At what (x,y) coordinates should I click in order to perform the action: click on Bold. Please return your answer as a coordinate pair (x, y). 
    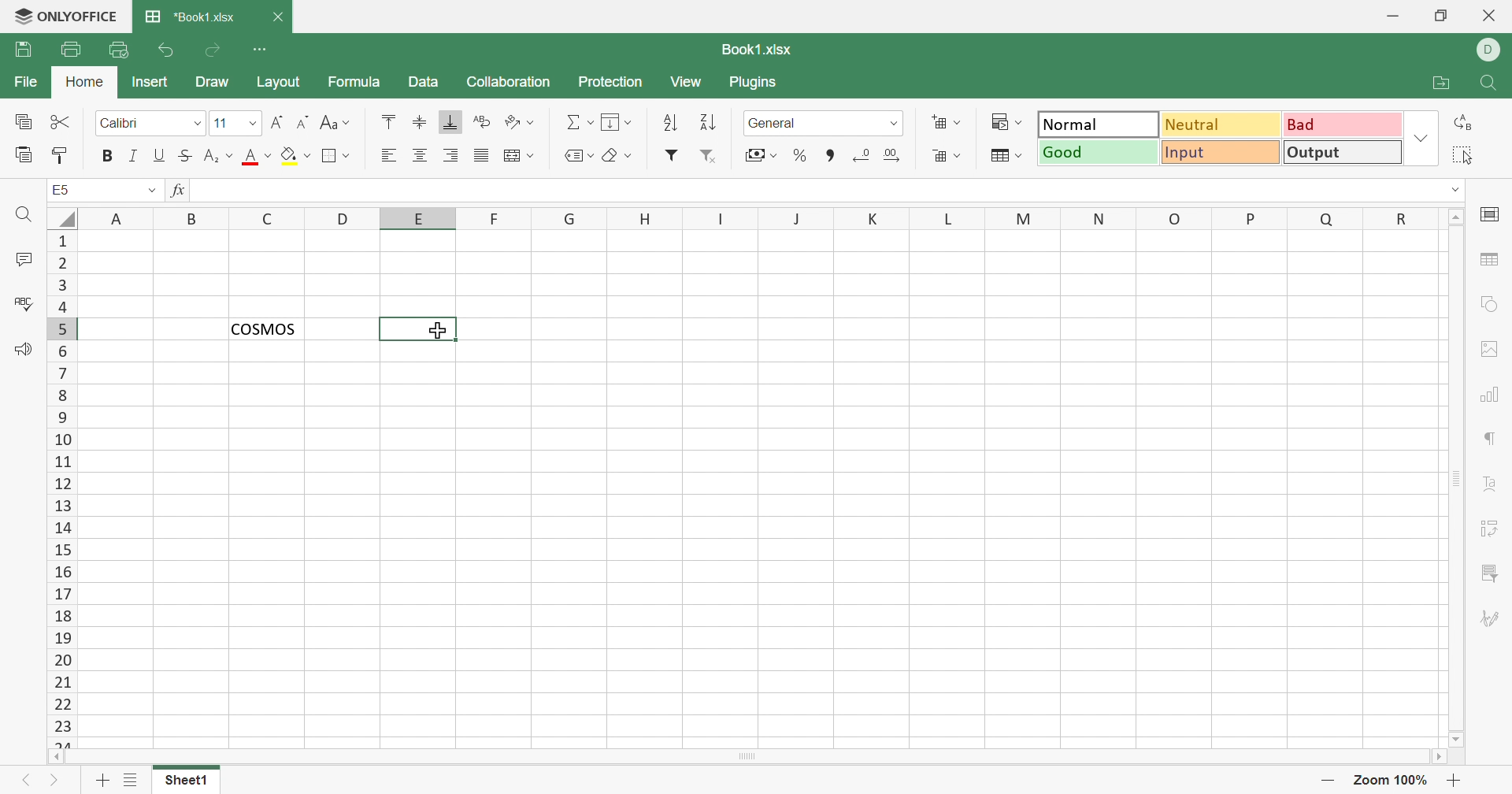
    Looking at the image, I should click on (106, 156).